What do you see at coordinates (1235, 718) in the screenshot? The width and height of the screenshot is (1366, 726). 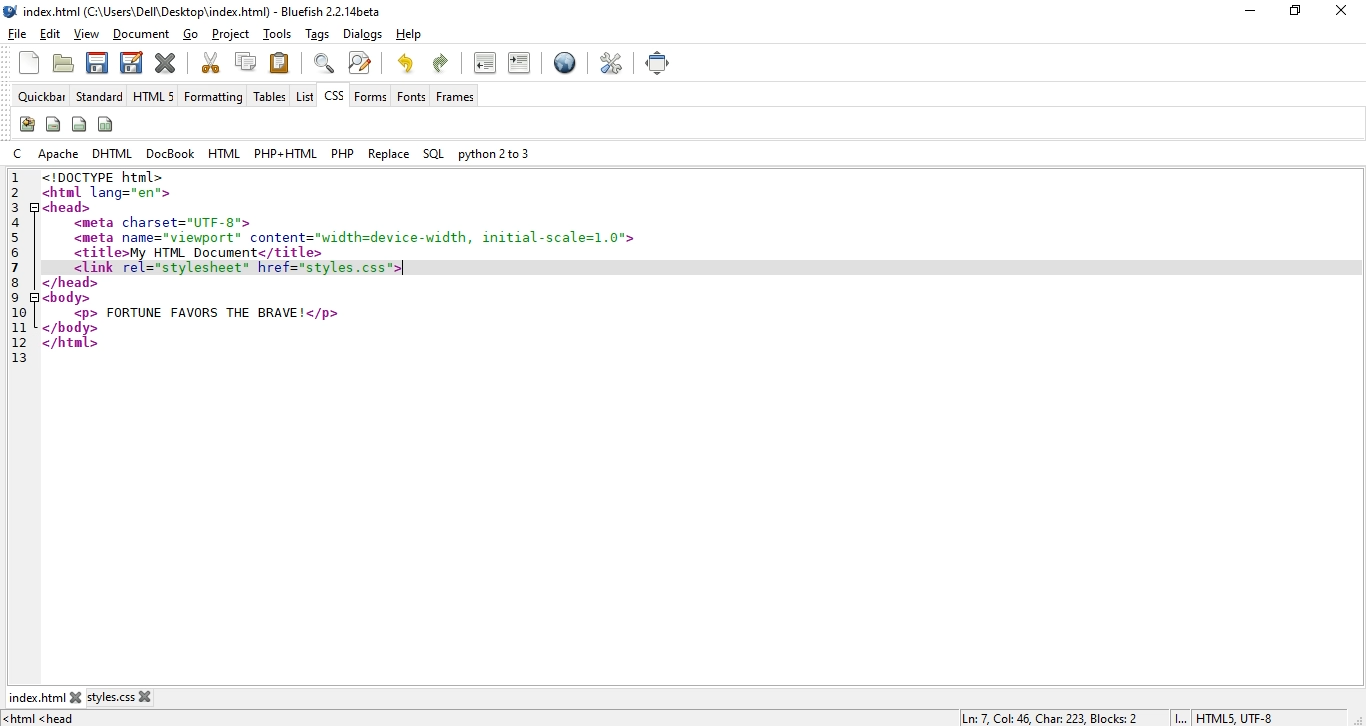 I see `HTMLS, UTF-8` at bounding box center [1235, 718].